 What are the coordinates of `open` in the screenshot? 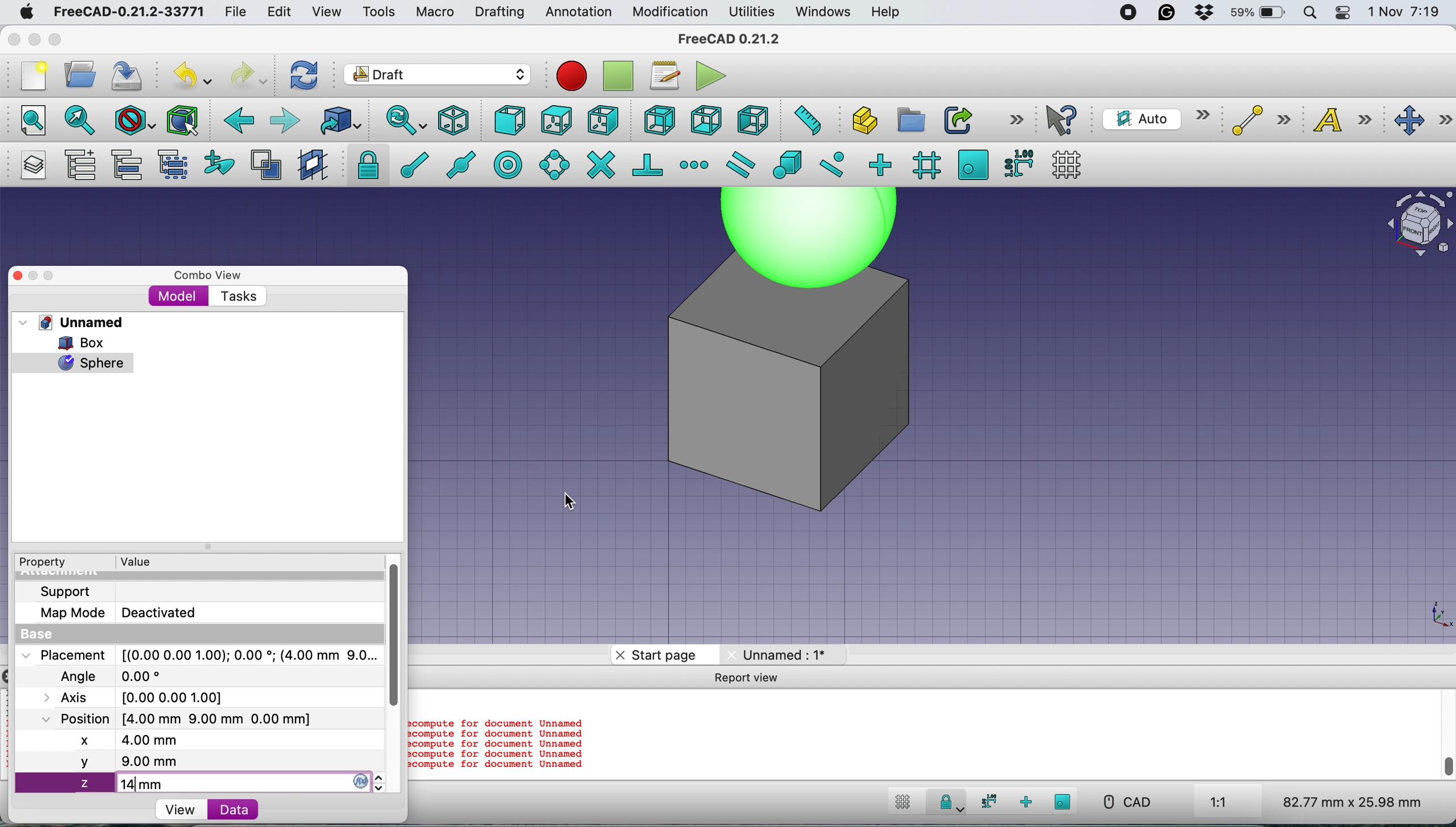 It's located at (85, 74).